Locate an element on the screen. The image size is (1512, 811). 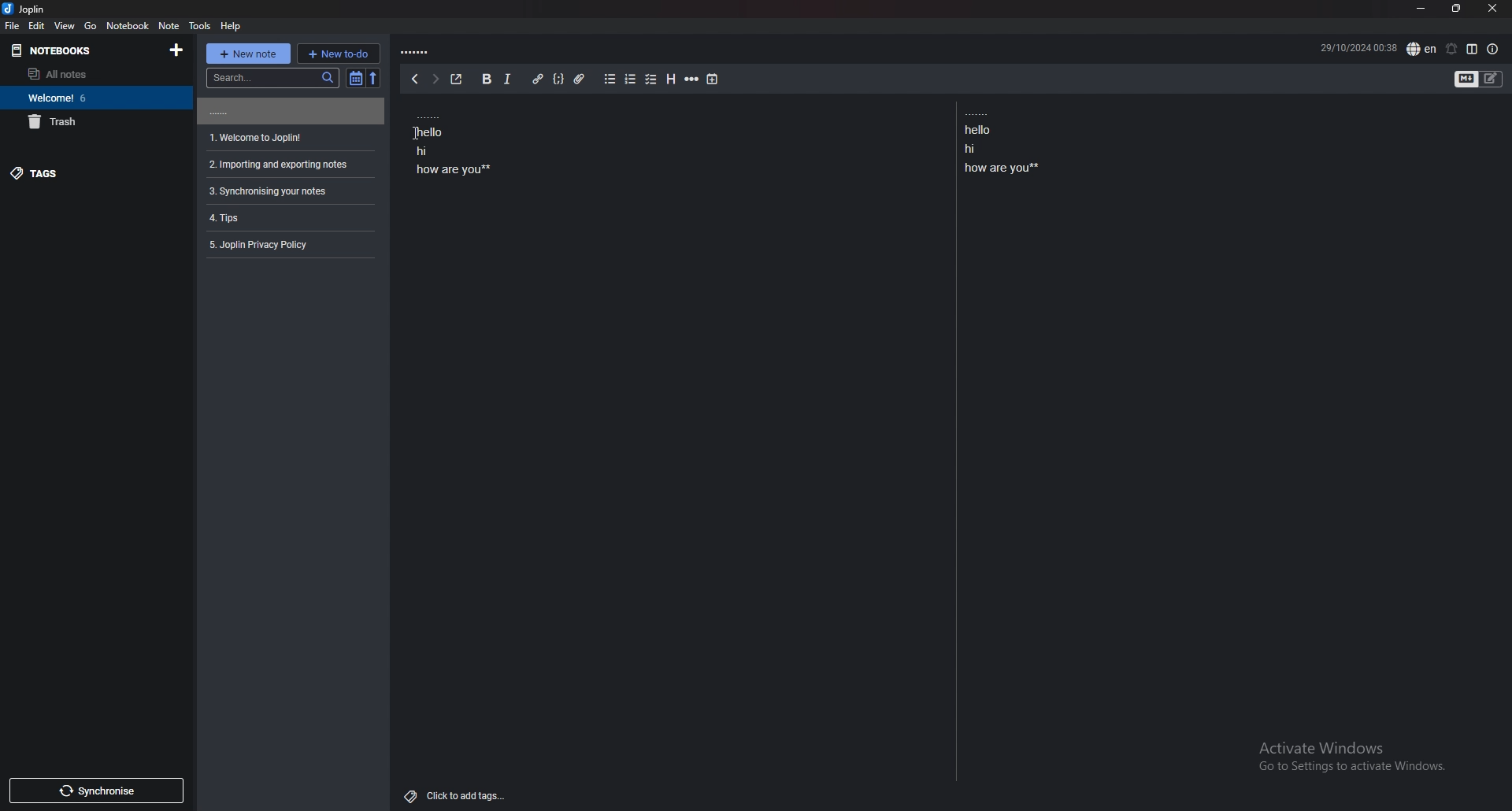
welcome is located at coordinates (94, 98).